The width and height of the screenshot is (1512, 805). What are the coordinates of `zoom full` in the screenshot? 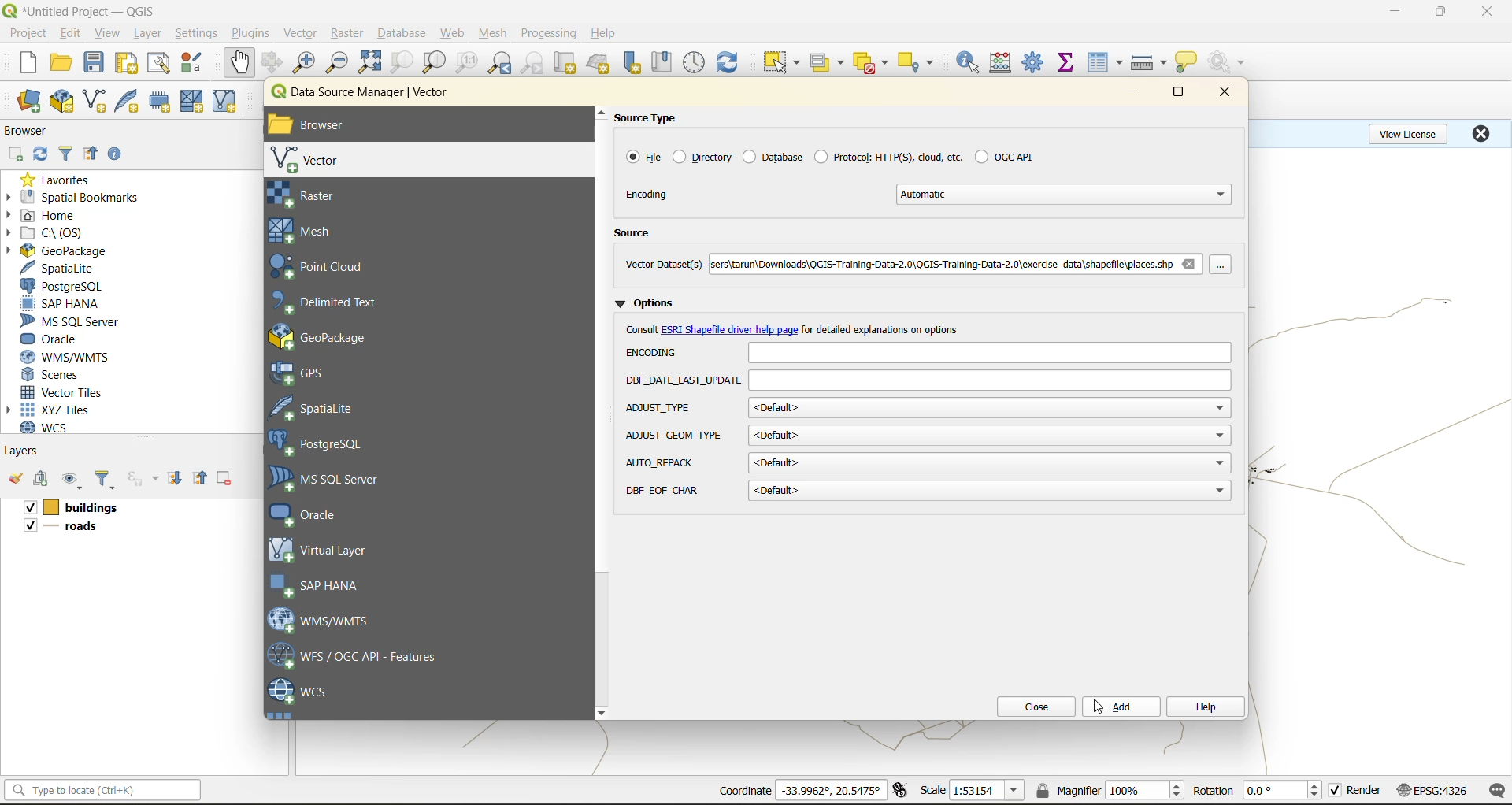 It's located at (369, 62).